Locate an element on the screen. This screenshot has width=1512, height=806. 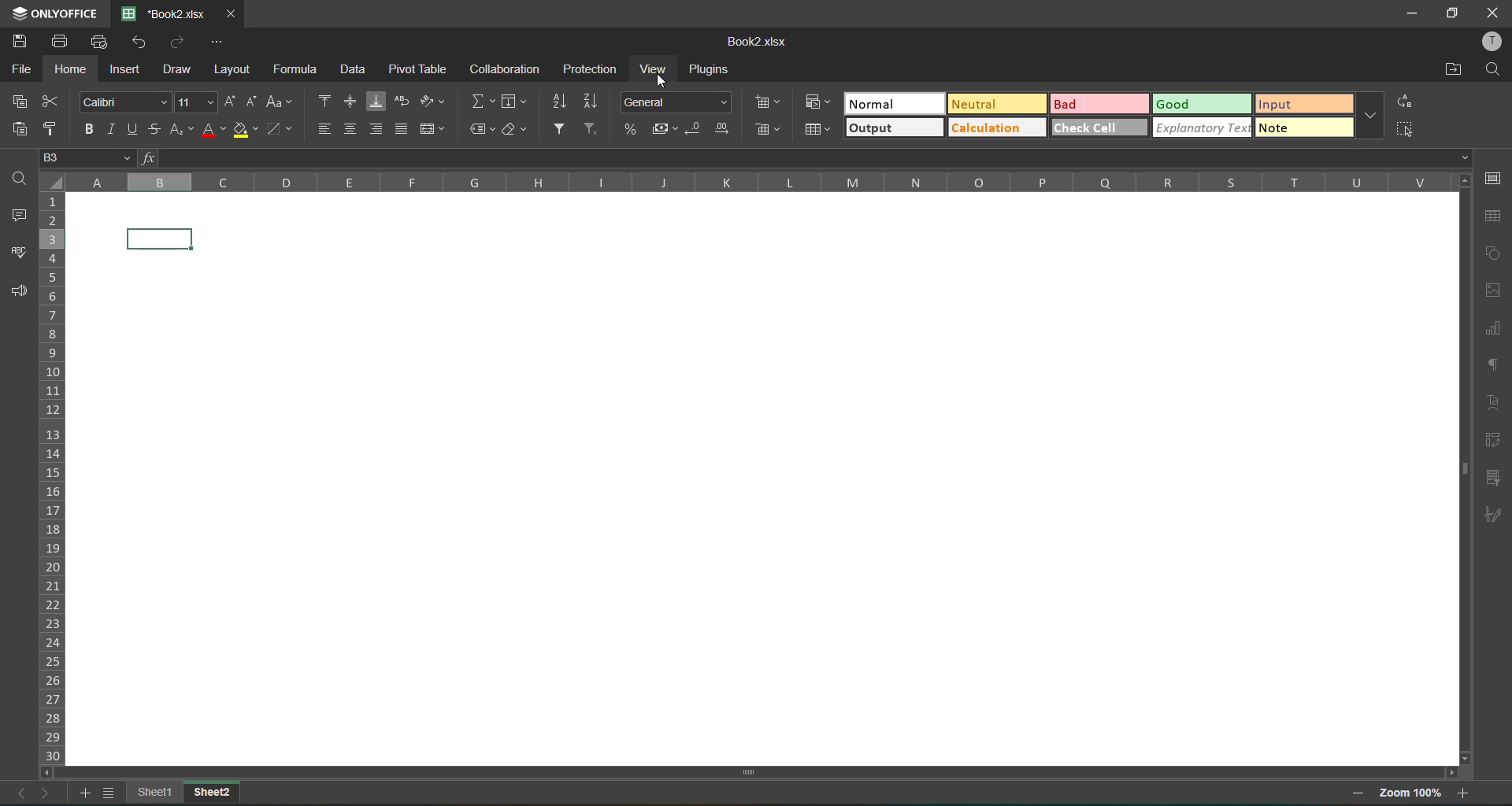
align top is located at coordinates (327, 98).